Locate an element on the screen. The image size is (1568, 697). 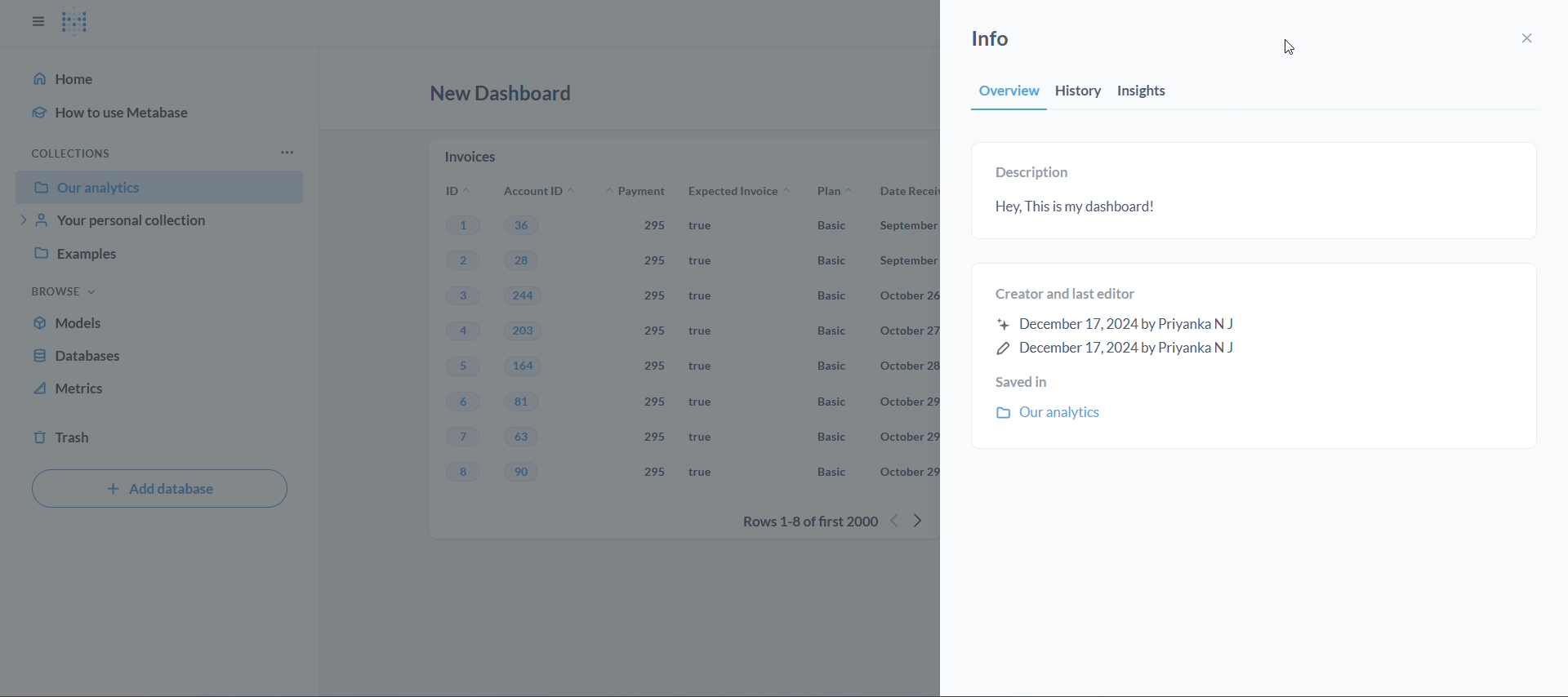
logo is located at coordinates (73, 24).